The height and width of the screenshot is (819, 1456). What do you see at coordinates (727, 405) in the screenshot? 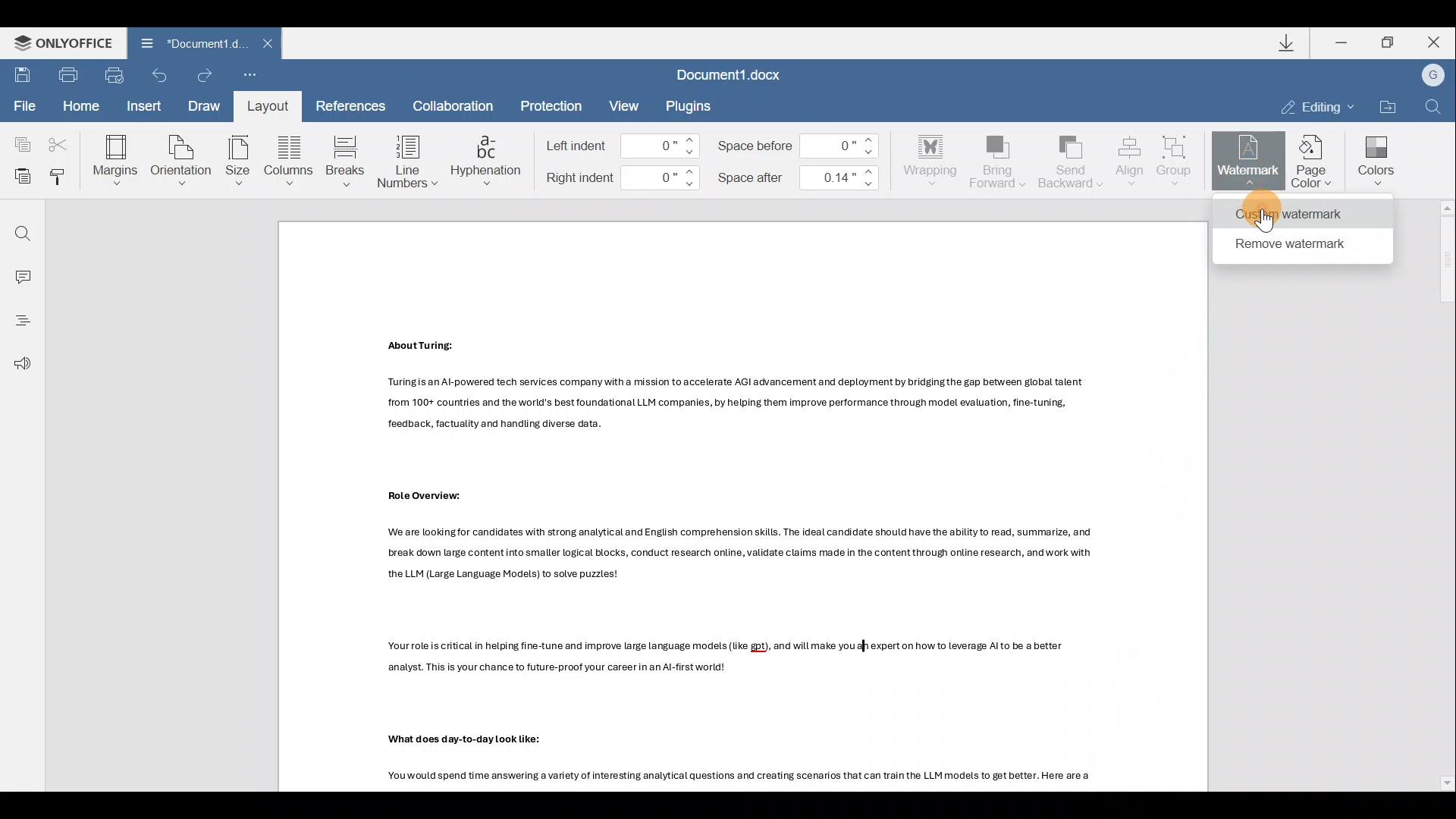
I see `` at bounding box center [727, 405].